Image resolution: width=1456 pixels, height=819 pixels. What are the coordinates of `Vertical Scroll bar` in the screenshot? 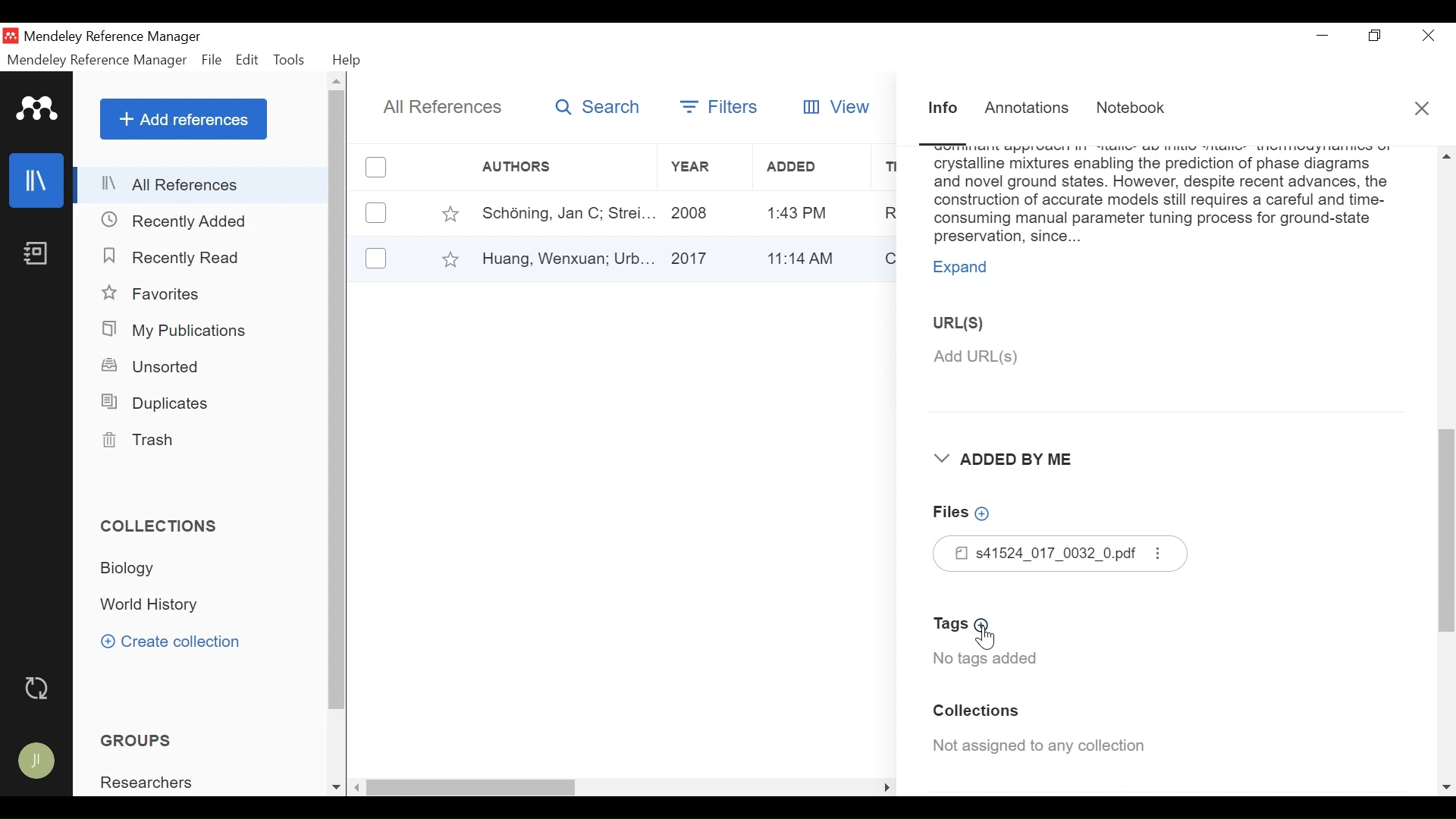 It's located at (1447, 529).